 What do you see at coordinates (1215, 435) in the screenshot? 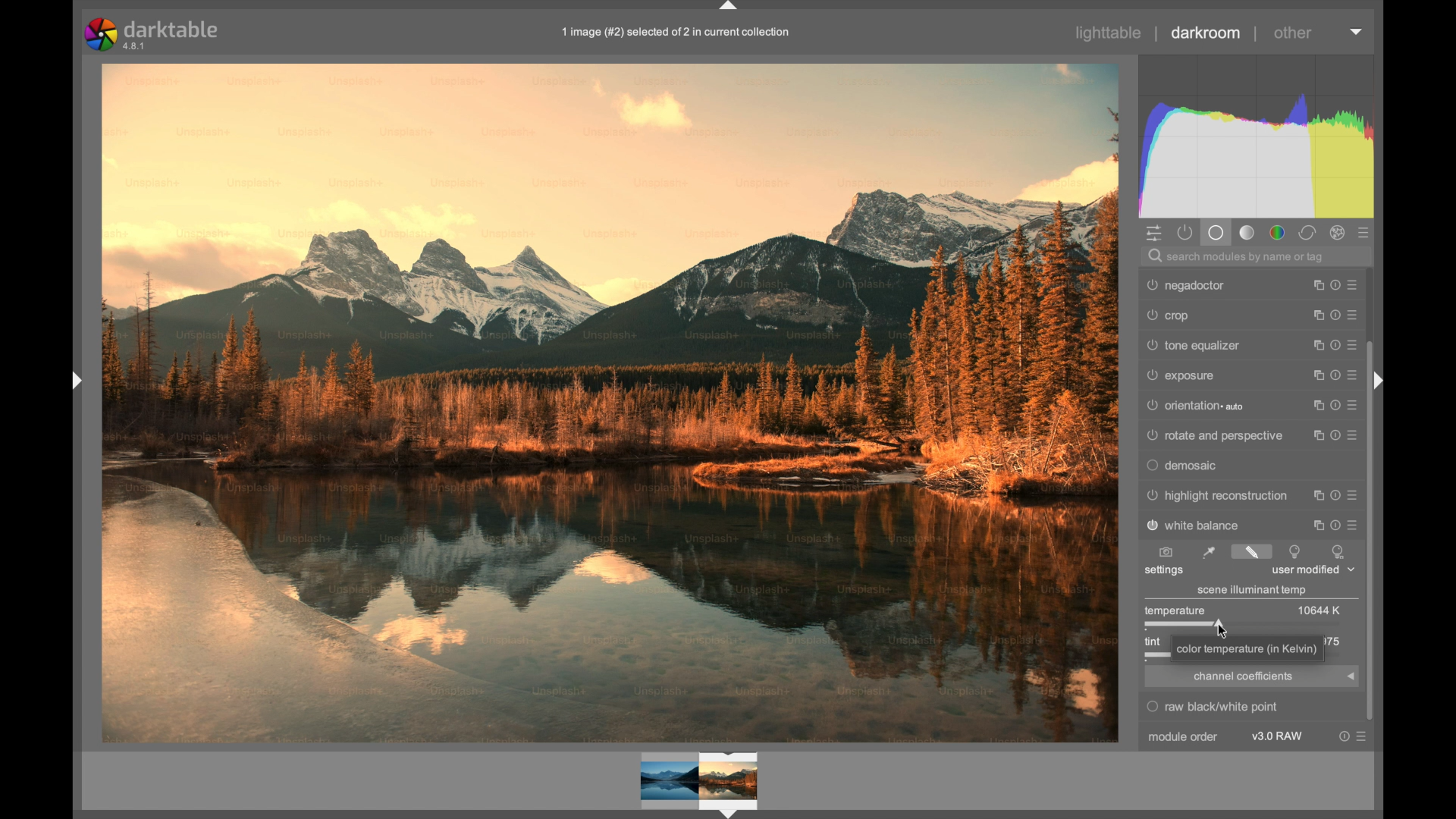
I see `rotate and perspective` at bounding box center [1215, 435].